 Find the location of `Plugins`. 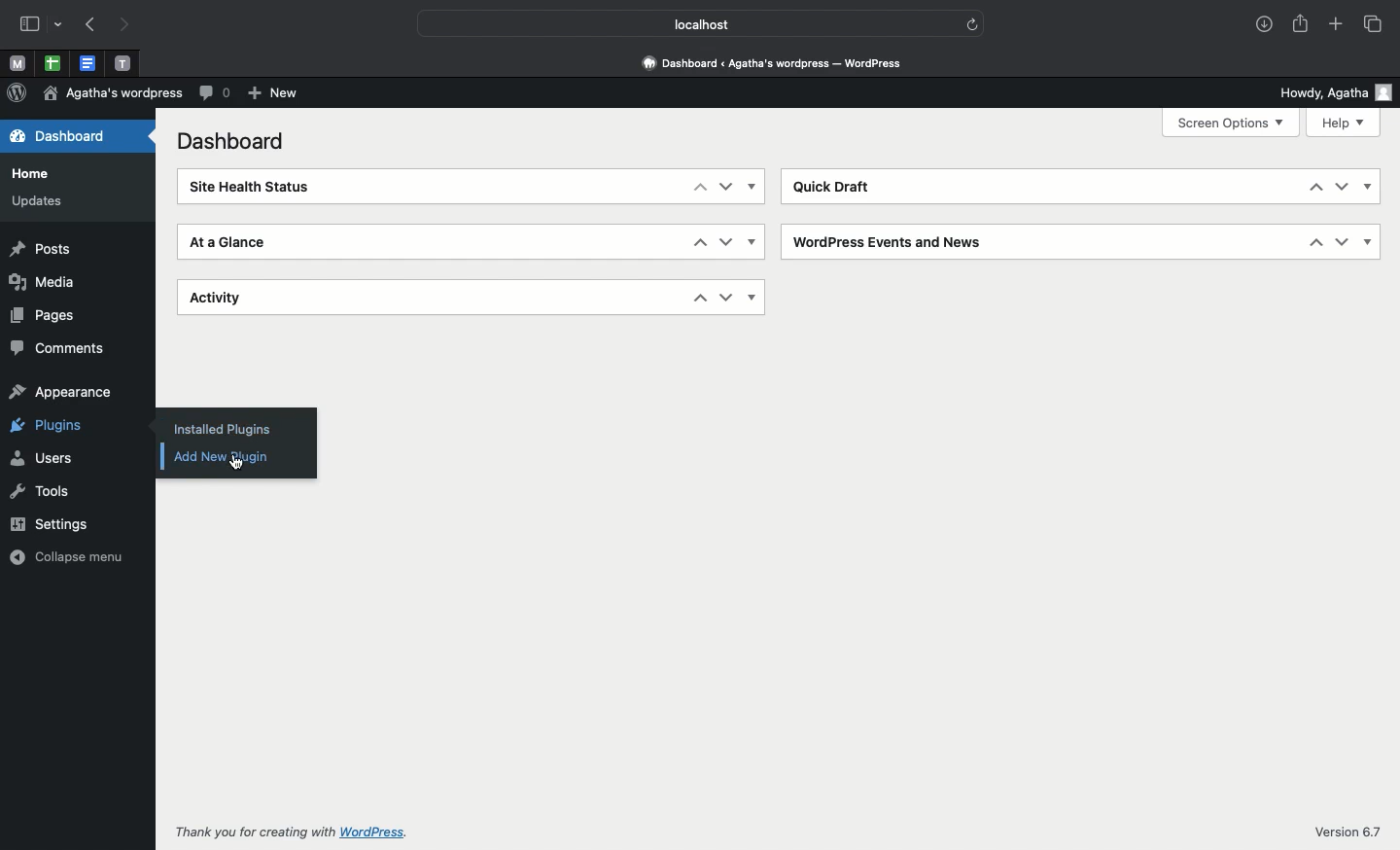

Plugins is located at coordinates (51, 426).